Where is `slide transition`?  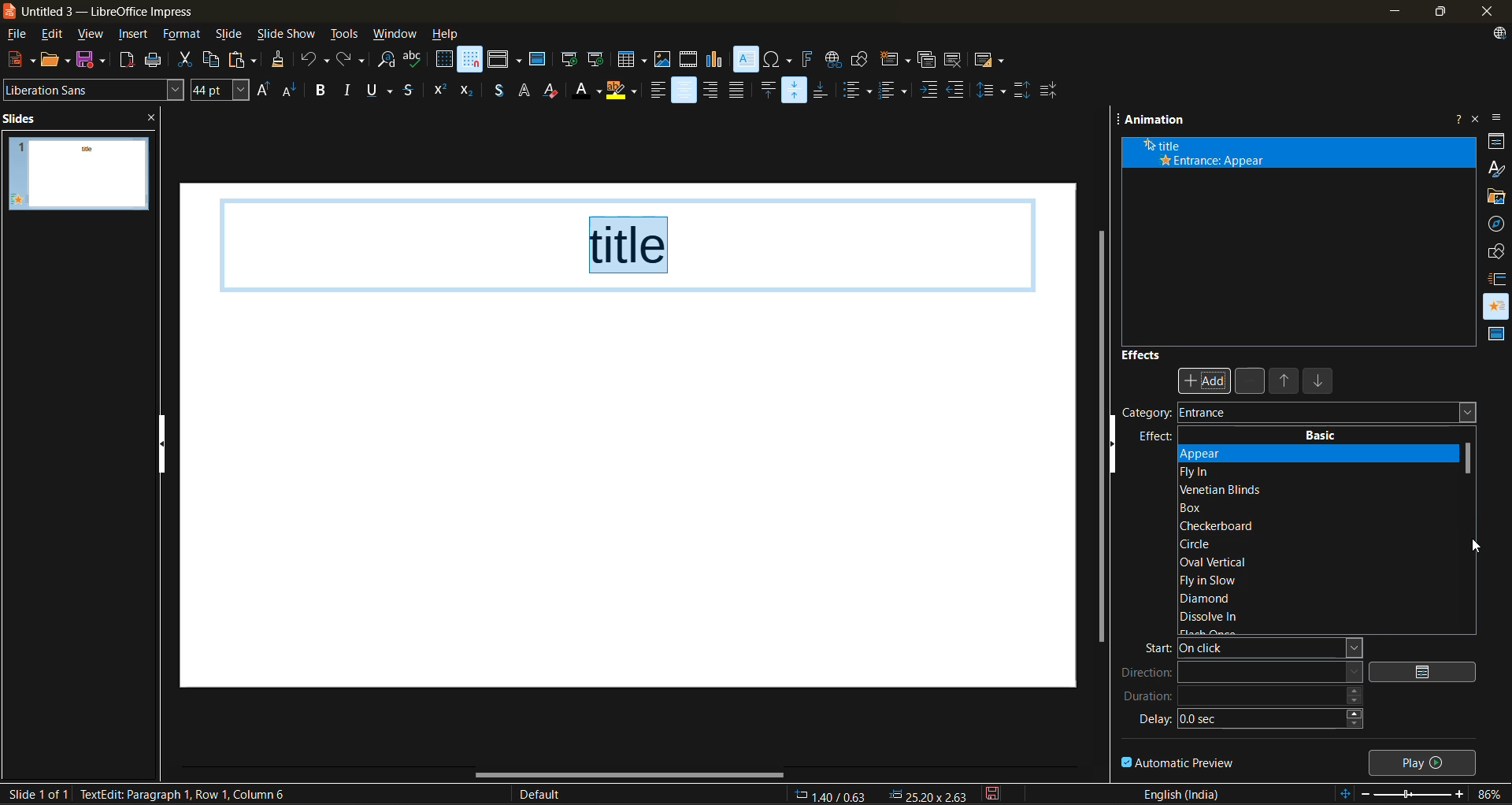
slide transition is located at coordinates (1499, 278).